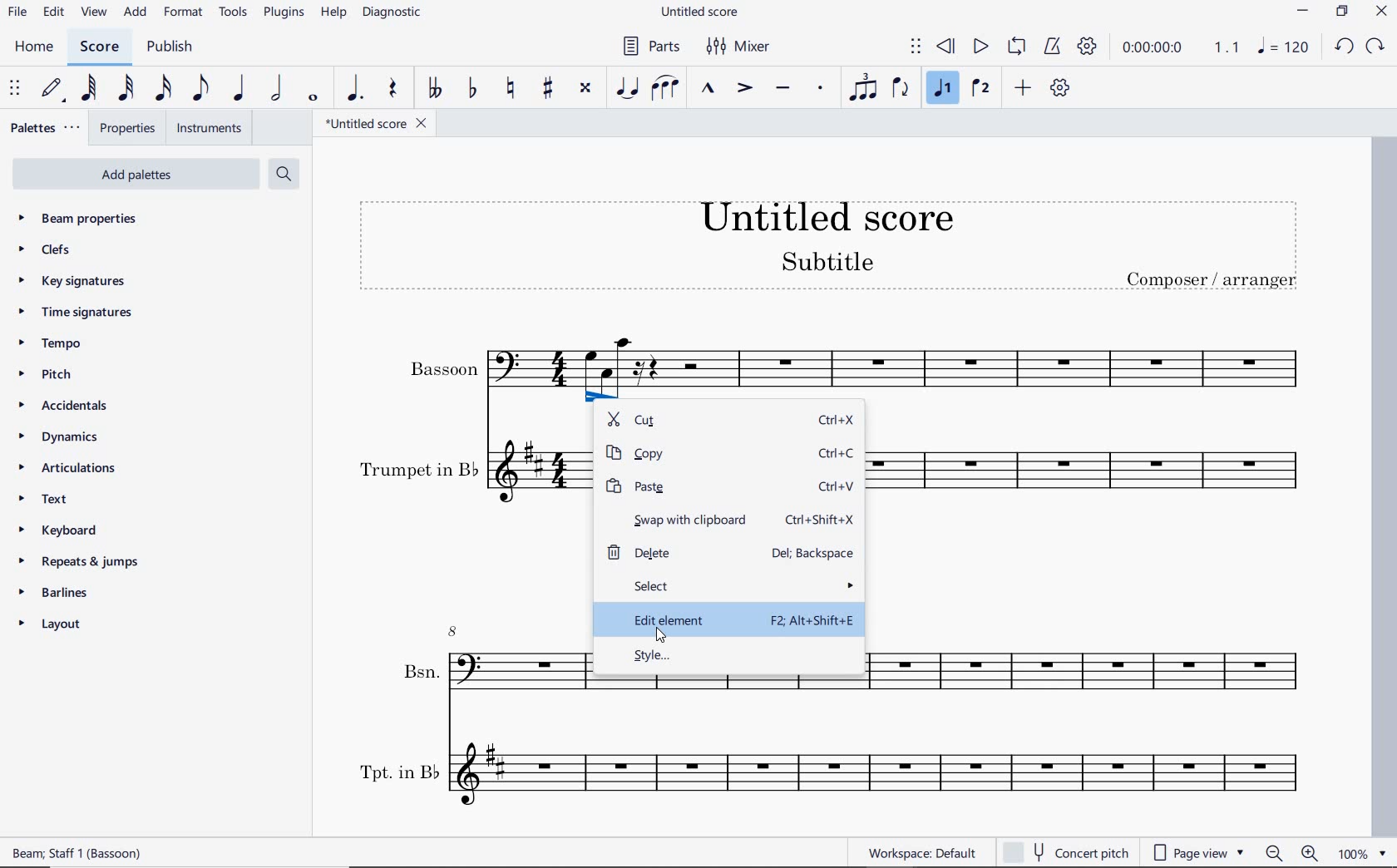 The width and height of the screenshot is (1397, 868). What do you see at coordinates (474, 87) in the screenshot?
I see `toggle flat` at bounding box center [474, 87].